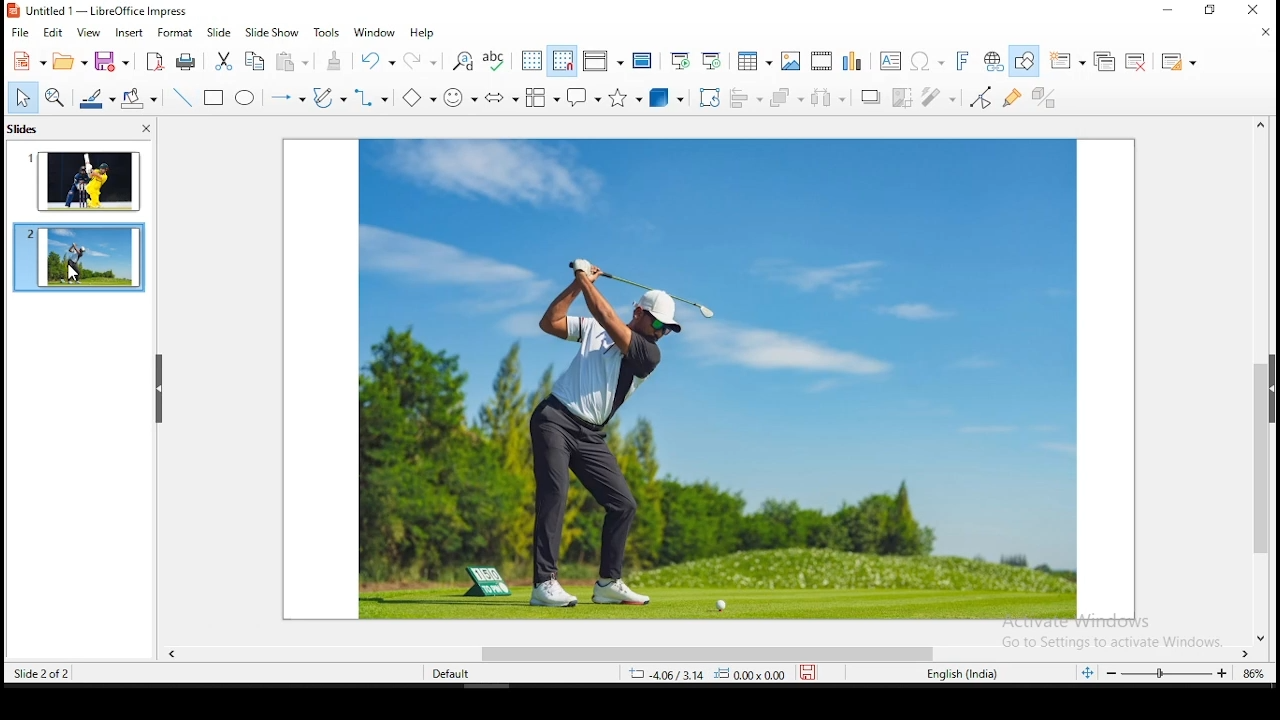 This screenshot has height=720, width=1280. I want to click on mouse pointer, so click(75, 272).